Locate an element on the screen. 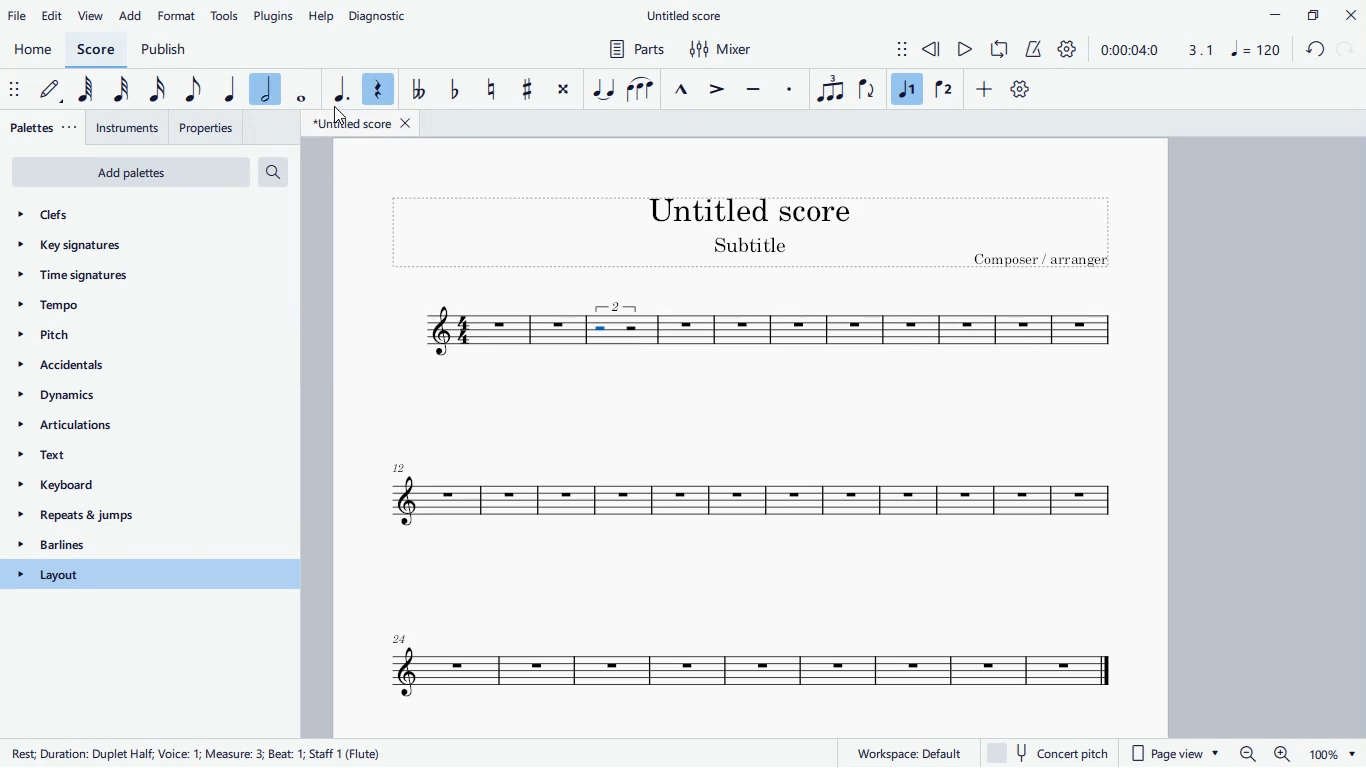 The image size is (1366, 768). curosr is located at coordinates (342, 117).